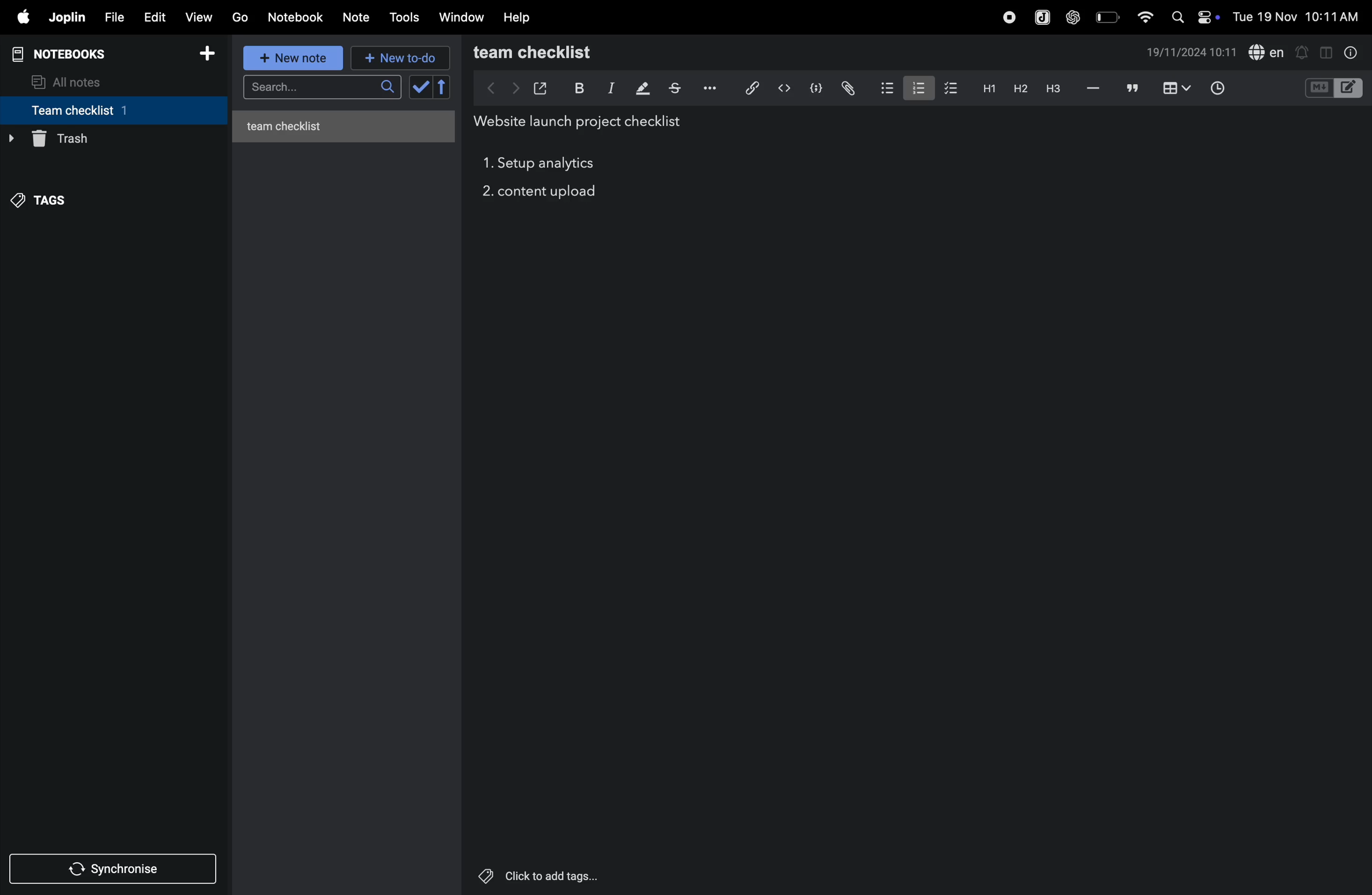  I want to click on edit, so click(154, 16).